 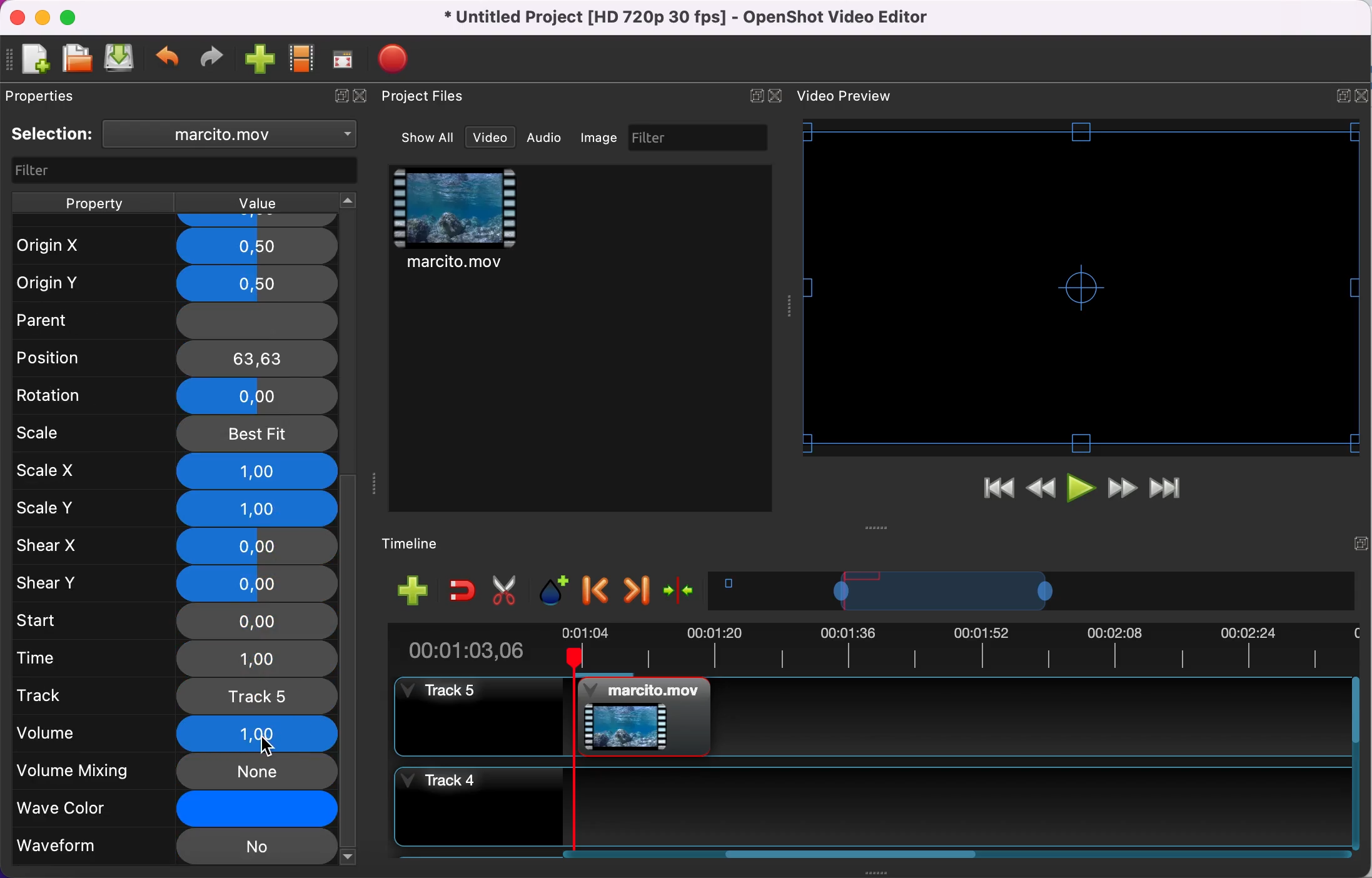 I want to click on Vertical slide bar, so click(x=1356, y=763).